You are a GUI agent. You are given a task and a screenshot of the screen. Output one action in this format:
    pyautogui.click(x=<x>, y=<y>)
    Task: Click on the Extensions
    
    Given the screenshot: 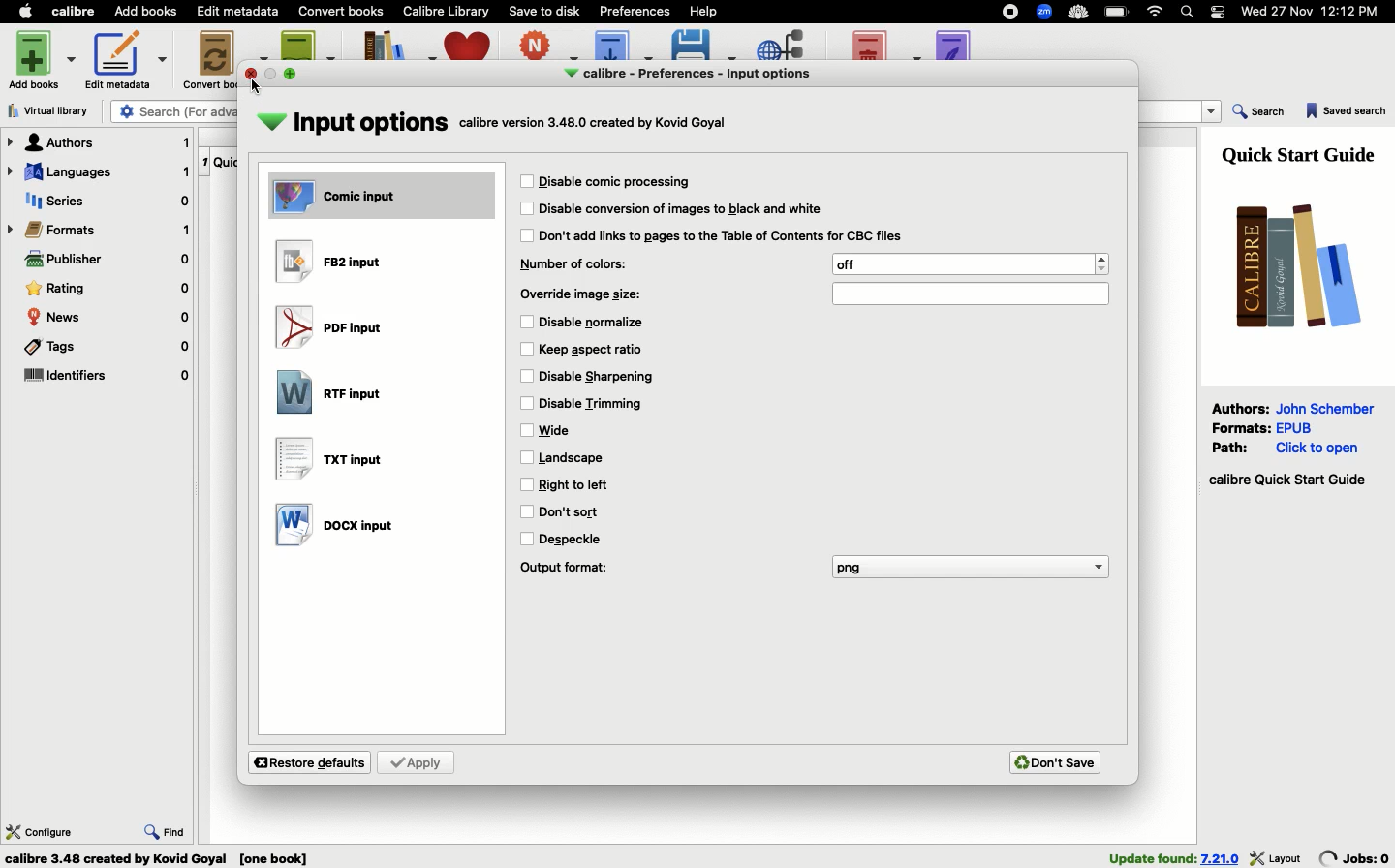 What is the action you would take?
    pyautogui.click(x=1046, y=14)
    